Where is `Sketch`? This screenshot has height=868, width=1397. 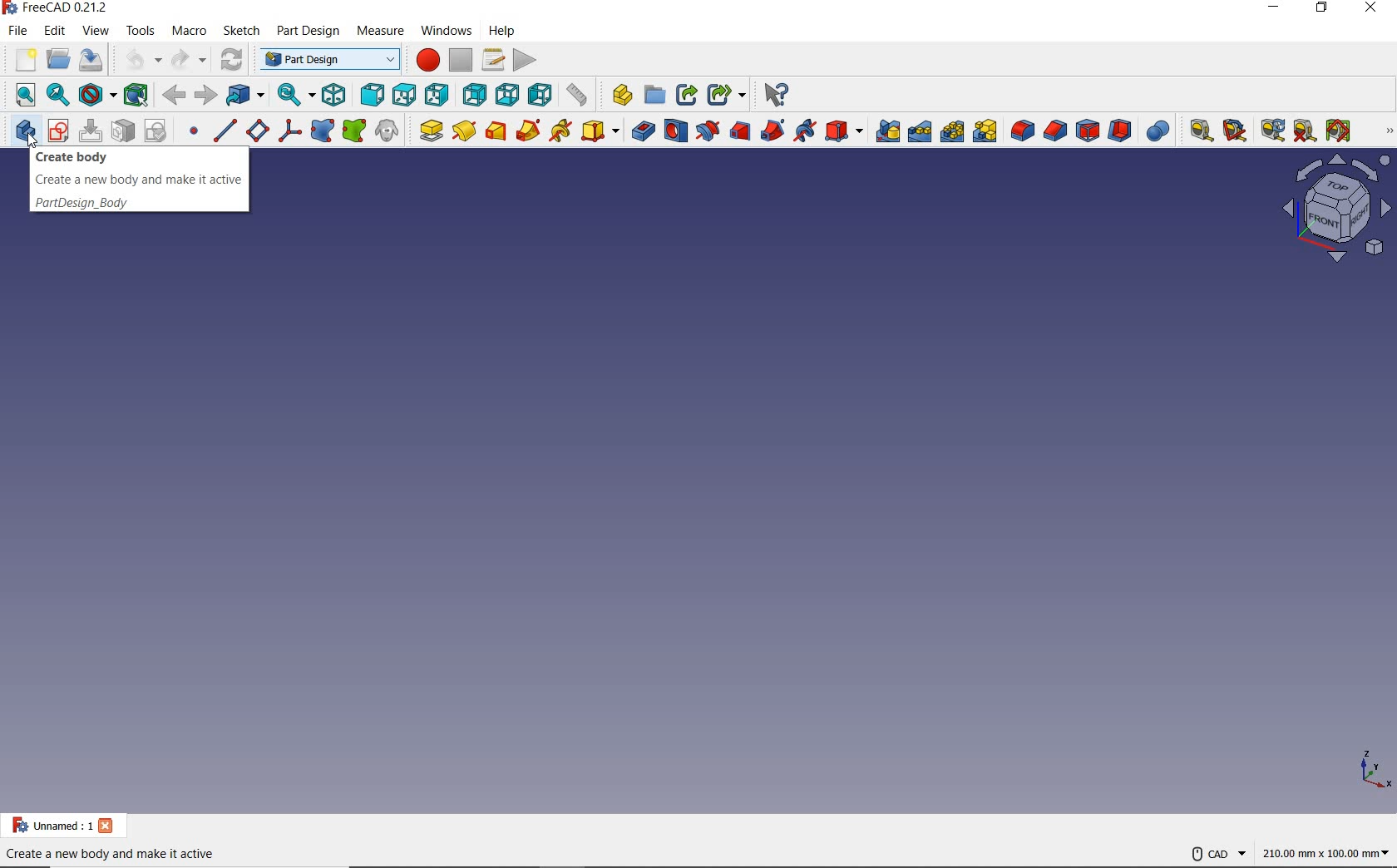
Sketch is located at coordinates (239, 35).